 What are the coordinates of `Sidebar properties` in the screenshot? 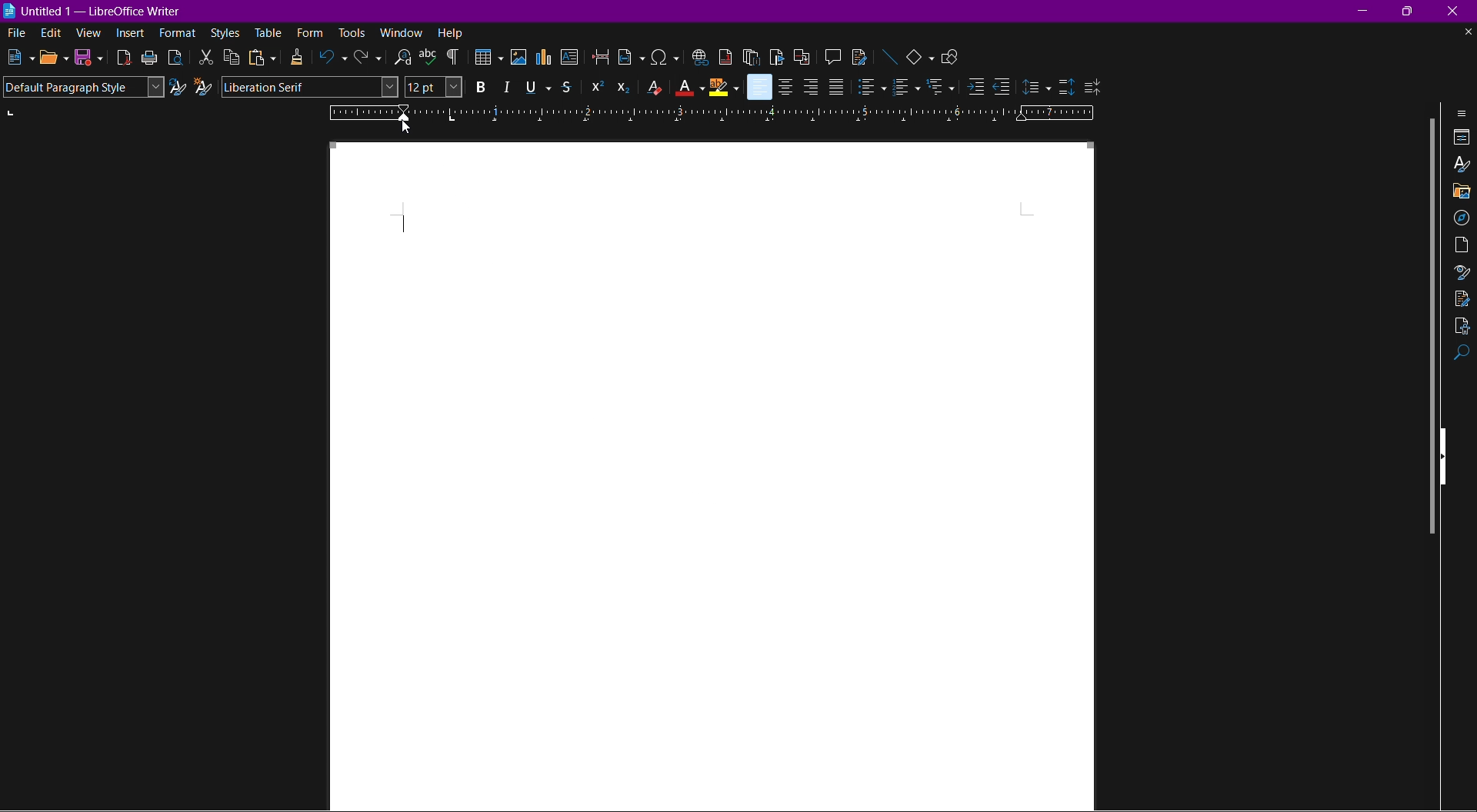 It's located at (1463, 112).